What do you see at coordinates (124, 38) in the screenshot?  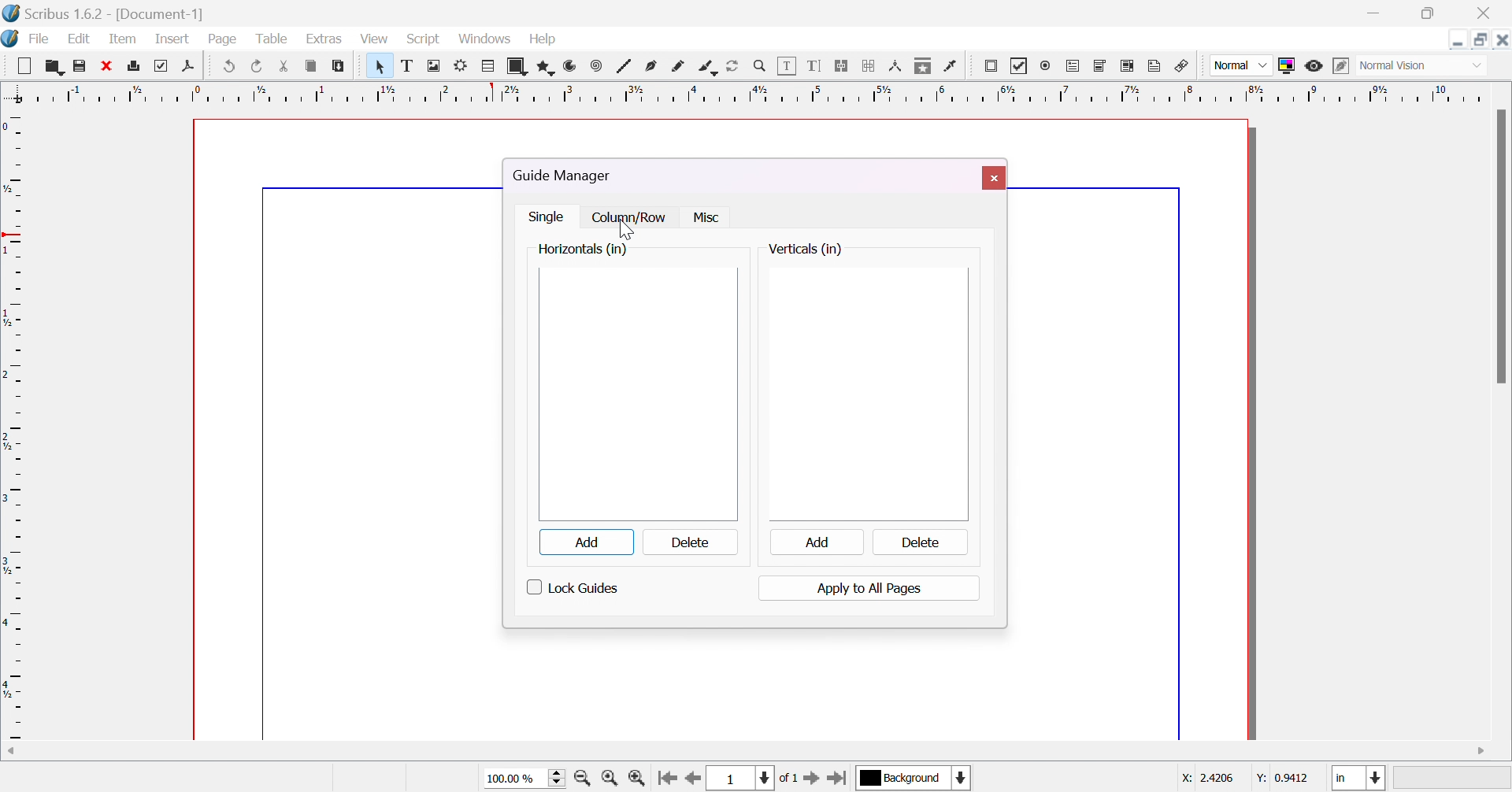 I see `item` at bounding box center [124, 38].